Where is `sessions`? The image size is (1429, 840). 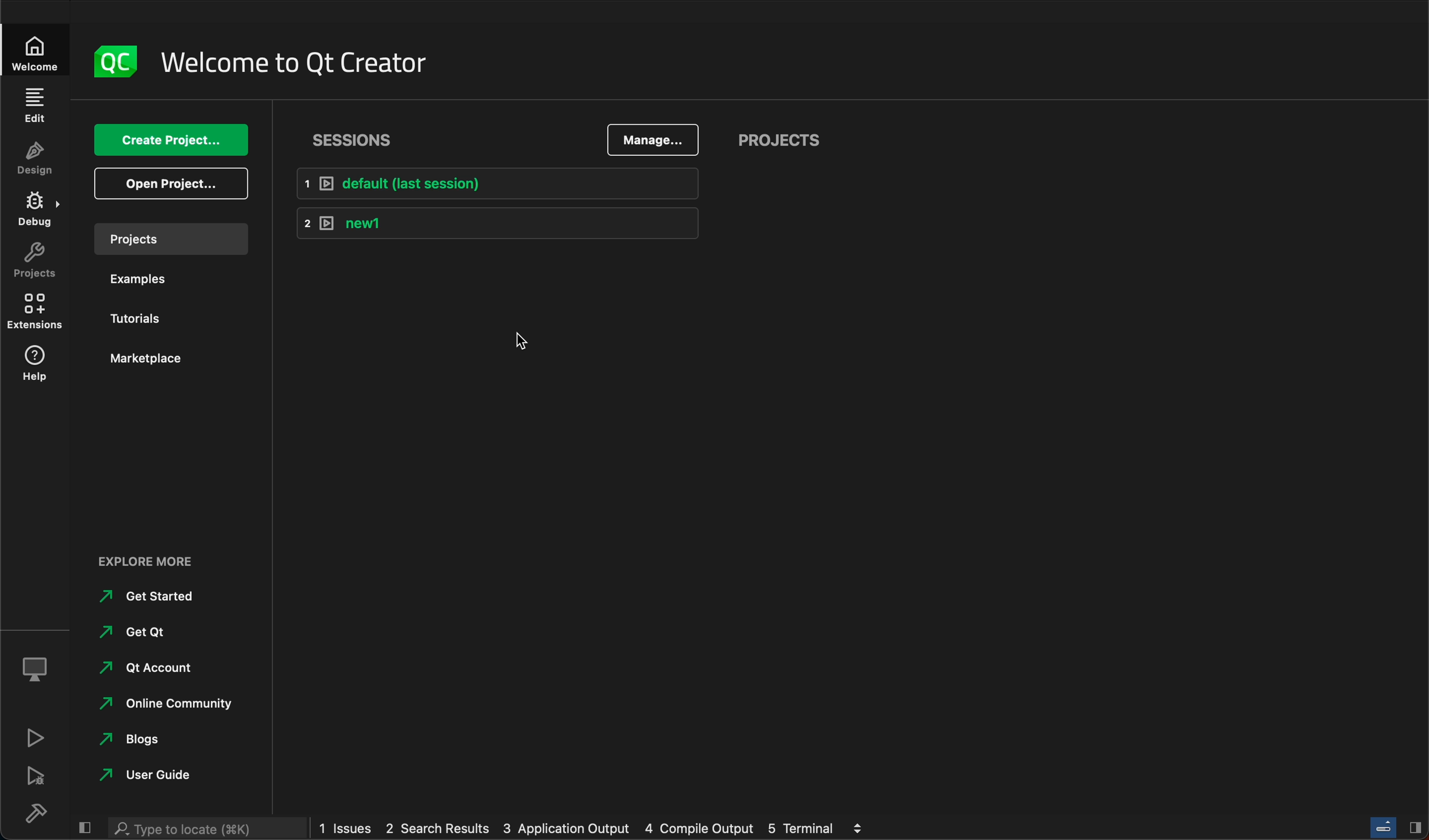
sessions is located at coordinates (352, 134).